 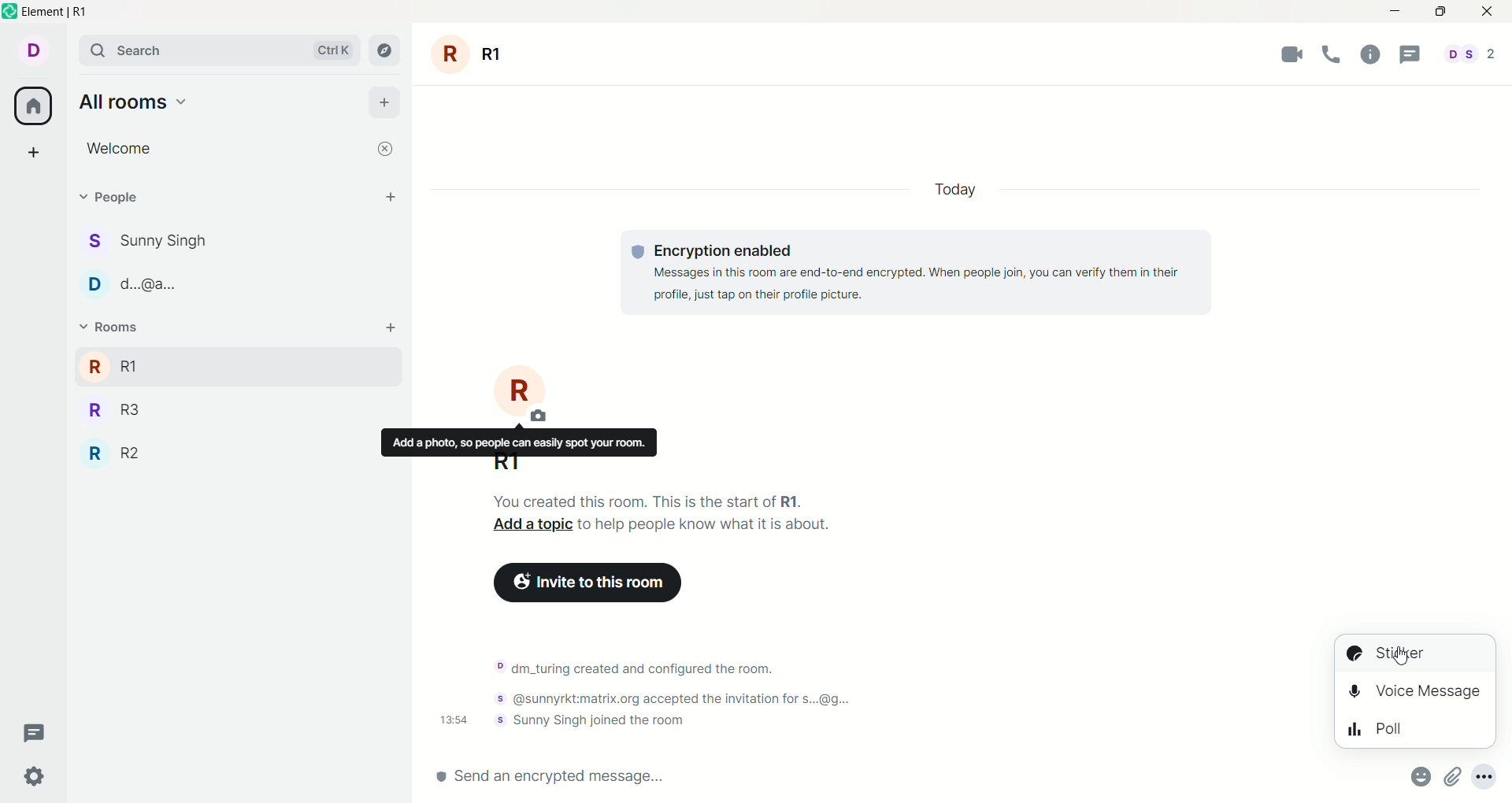 I want to click on R3 room, so click(x=115, y=410).